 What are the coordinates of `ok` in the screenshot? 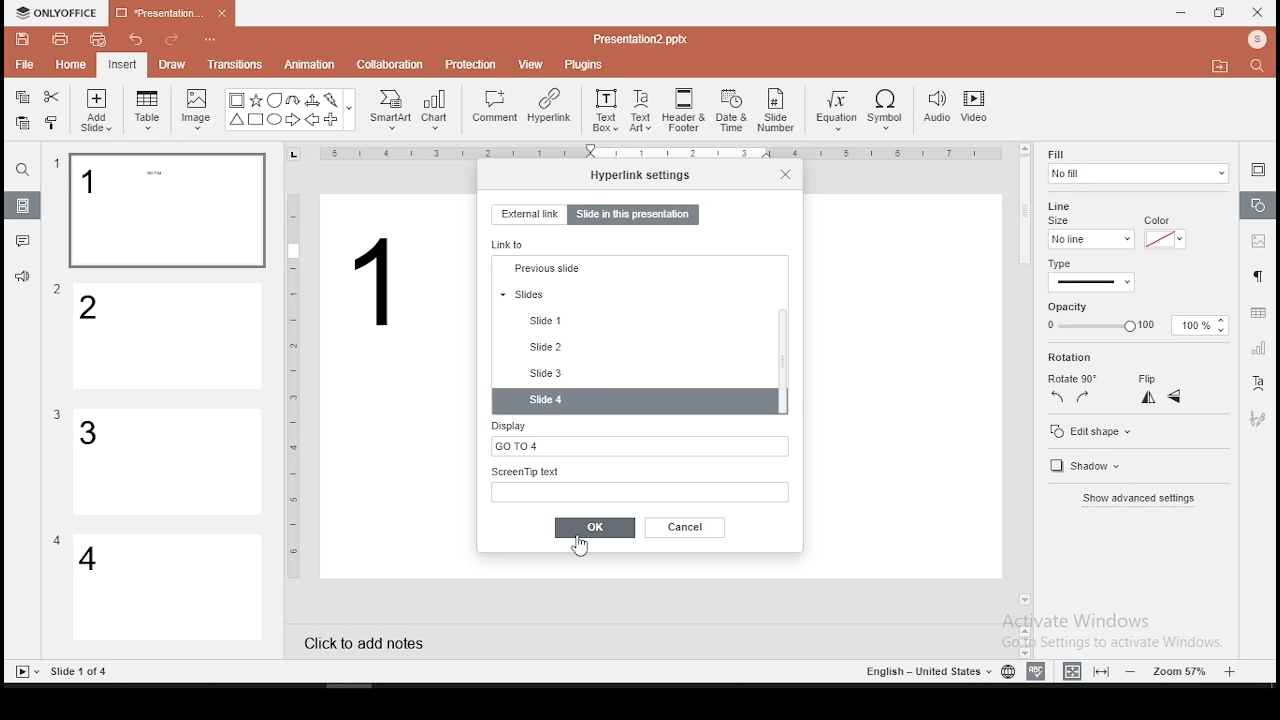 It's located at (595, 527).